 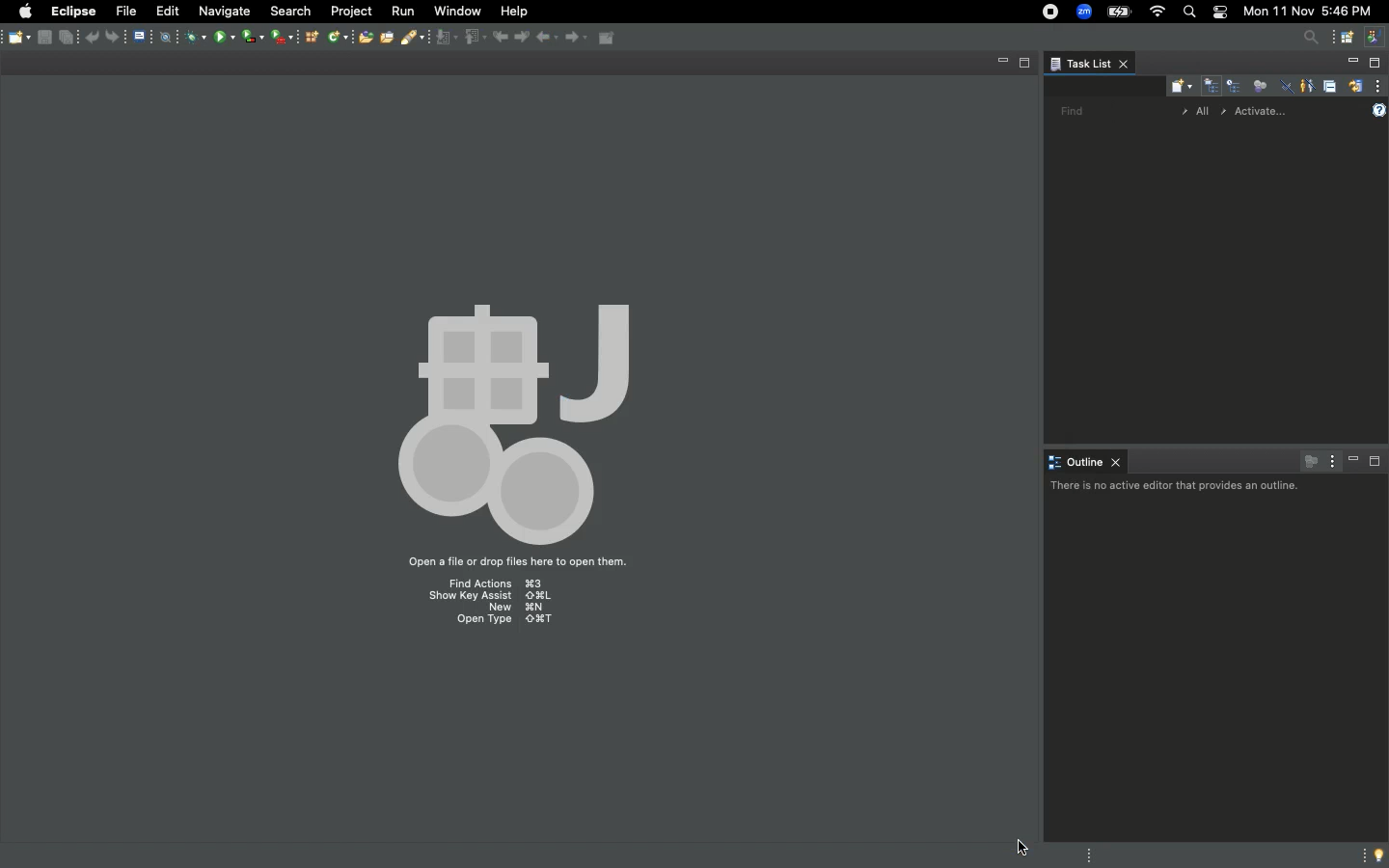 What do you see at coordinates (336, 38) in the screenshot?
I see `Network` at bounding box center [336, 38].